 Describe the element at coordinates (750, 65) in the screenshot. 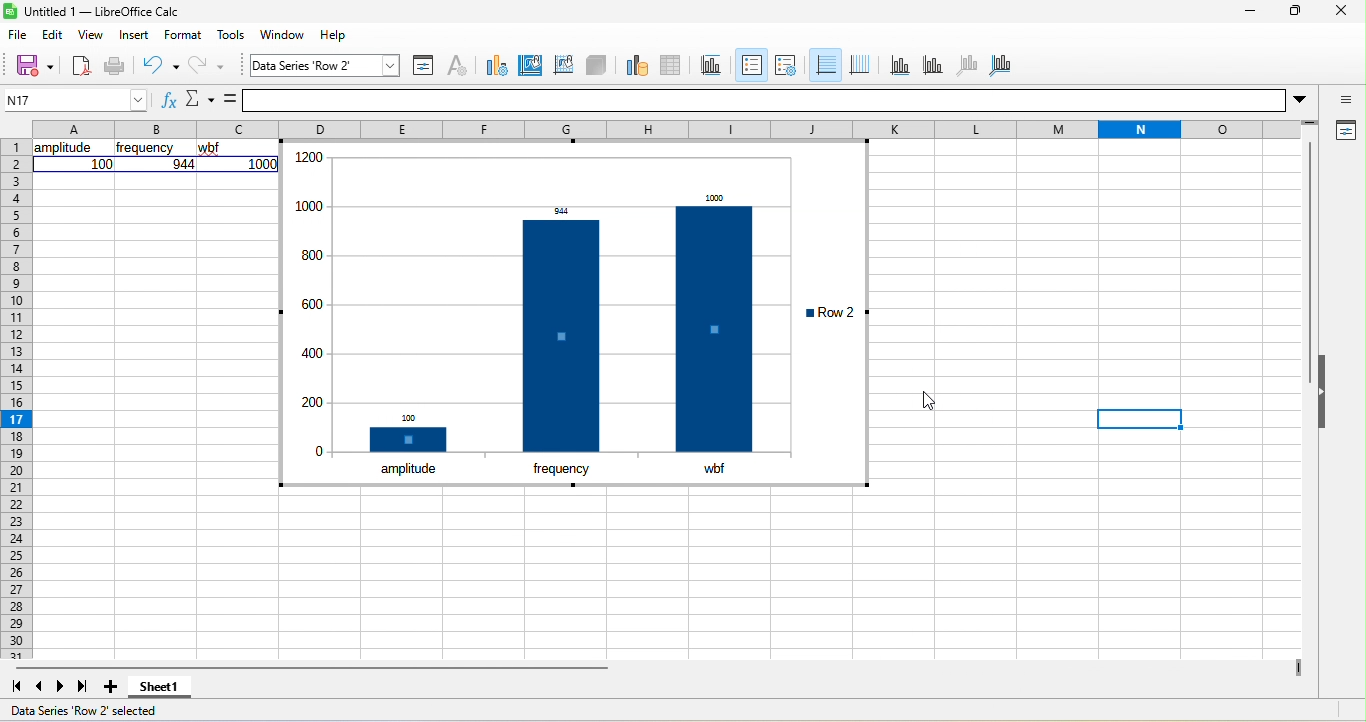

I see `legend on/off` at that location.